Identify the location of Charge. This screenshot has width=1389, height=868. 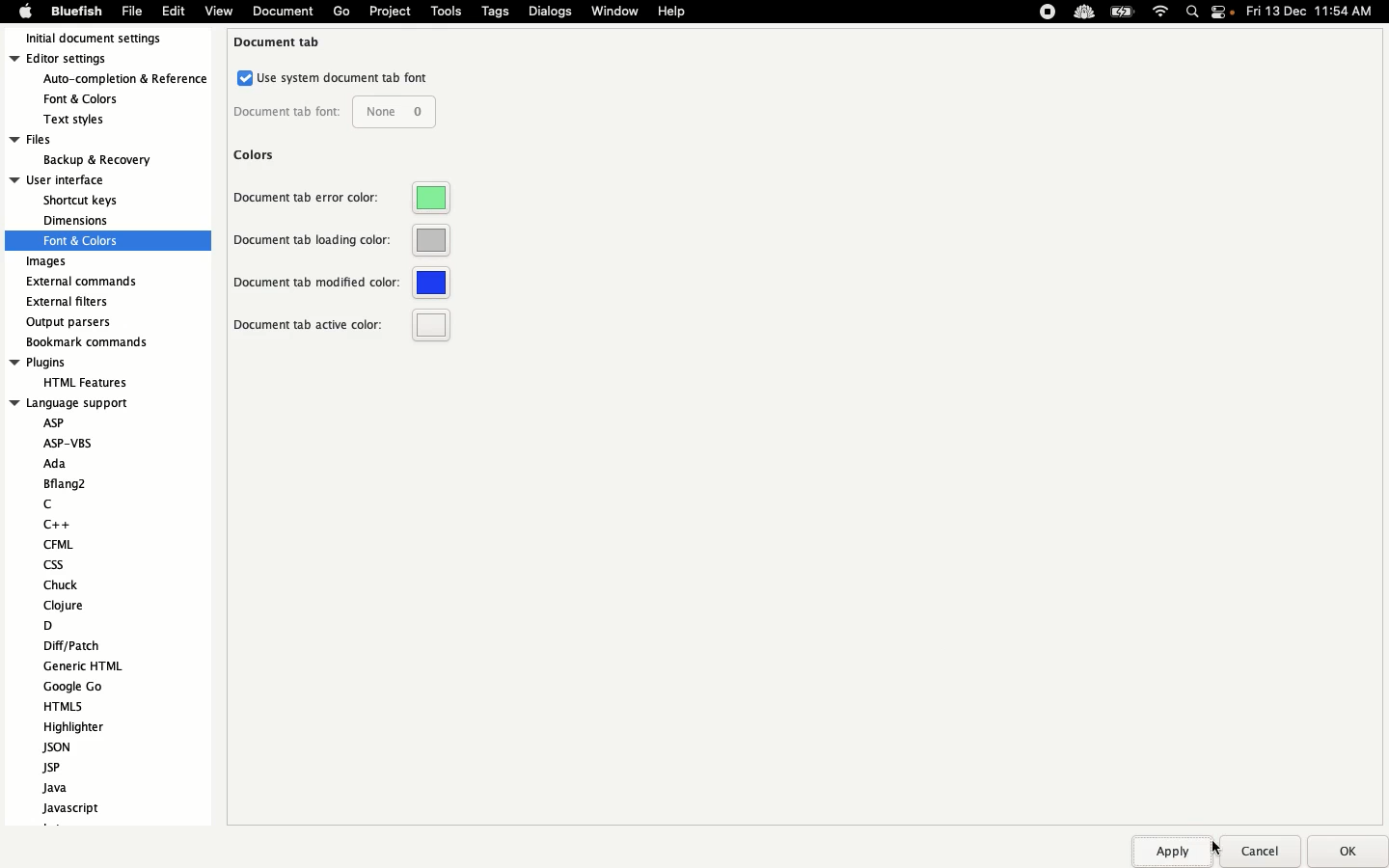
(1122, 14).